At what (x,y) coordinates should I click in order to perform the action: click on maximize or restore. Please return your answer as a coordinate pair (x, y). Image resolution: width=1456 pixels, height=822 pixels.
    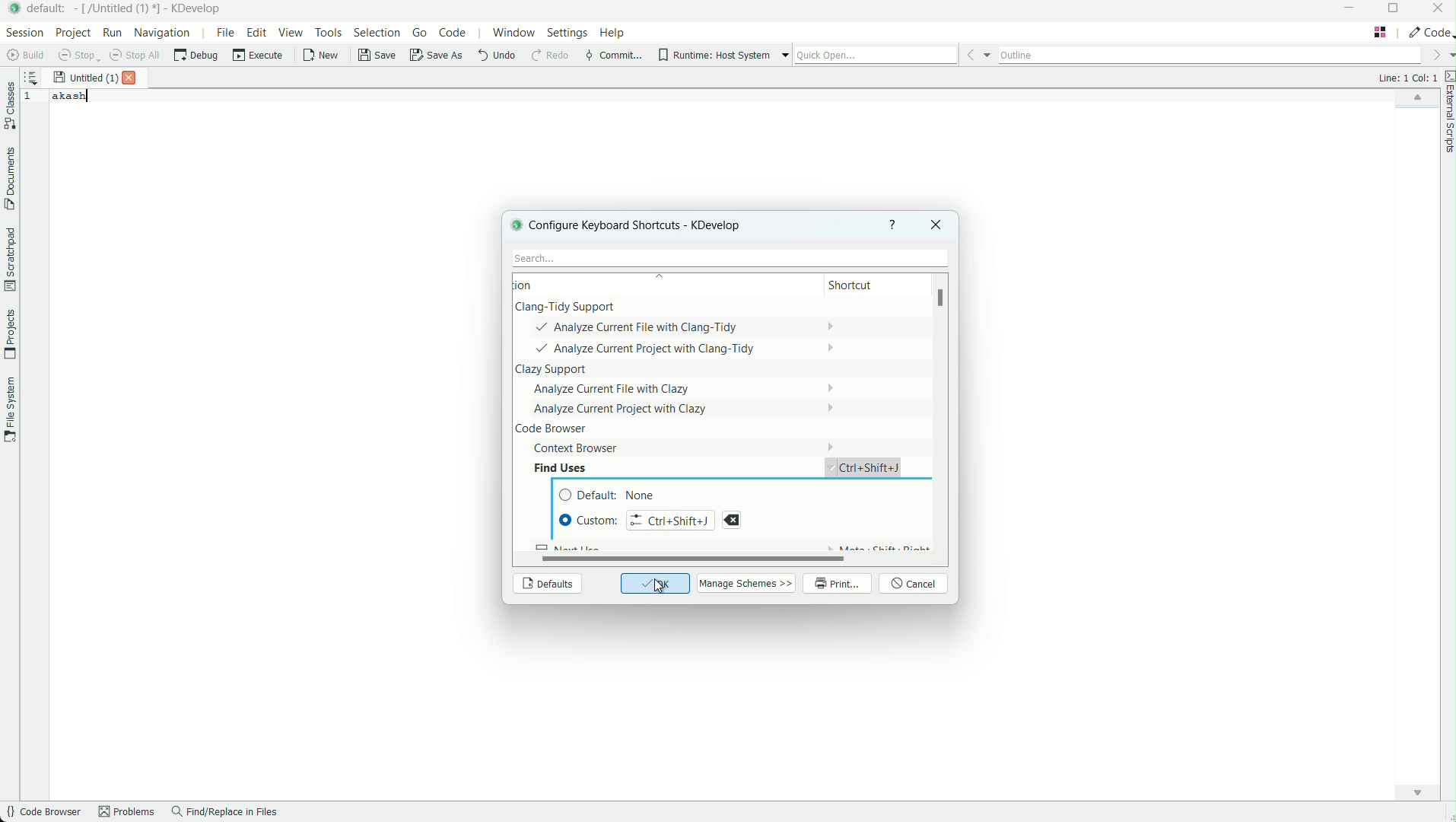
    Looking at the image, I should click on (1397, 10).